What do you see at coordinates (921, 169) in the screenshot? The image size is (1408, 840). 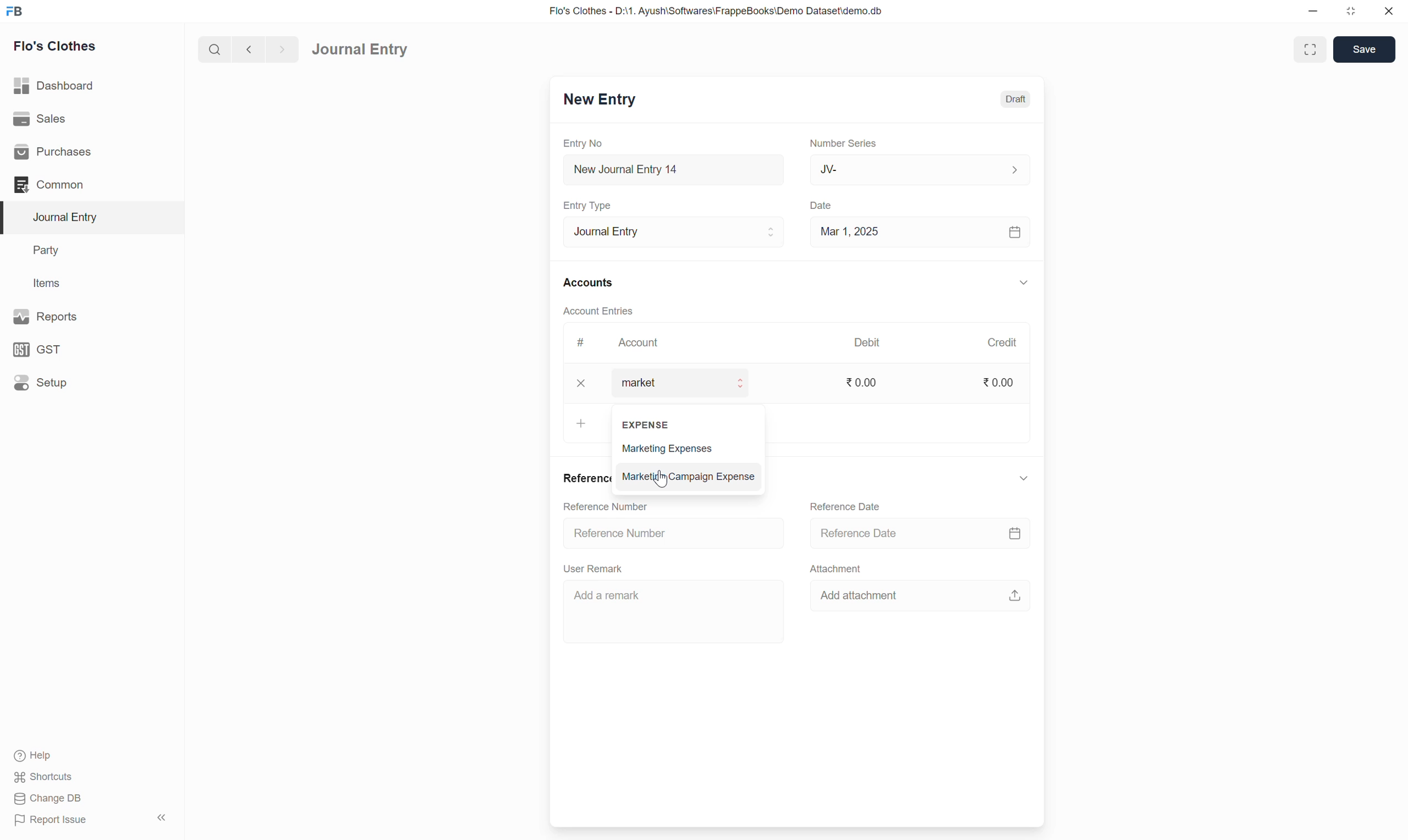 I see `JV-` at bounding box center [921, 169].